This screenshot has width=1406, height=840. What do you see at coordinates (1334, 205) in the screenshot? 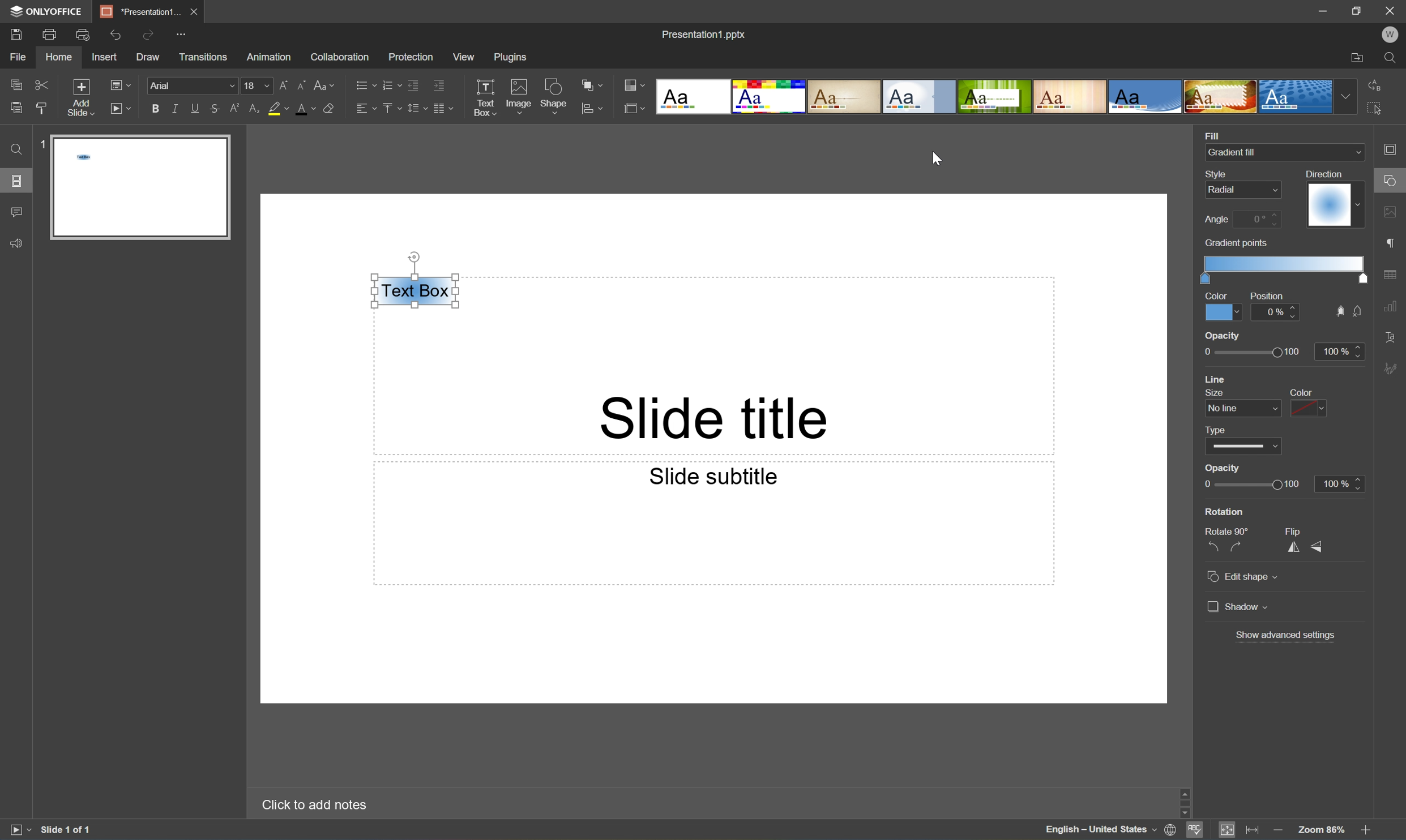
I see `Direction` at bounding box center [1334, 205].